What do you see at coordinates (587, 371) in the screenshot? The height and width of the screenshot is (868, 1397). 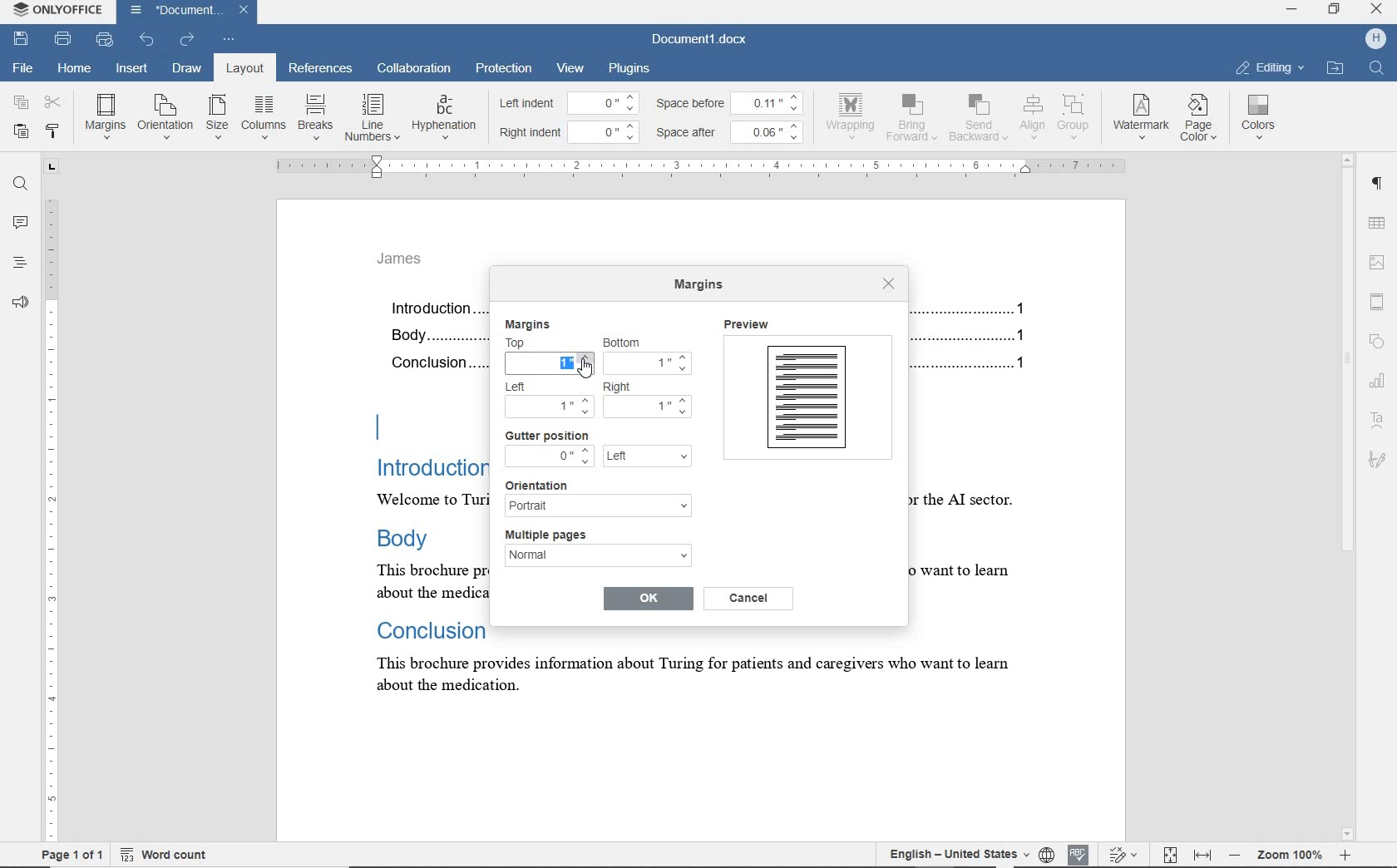 I see `cursor` at bounding box center [587, 371].